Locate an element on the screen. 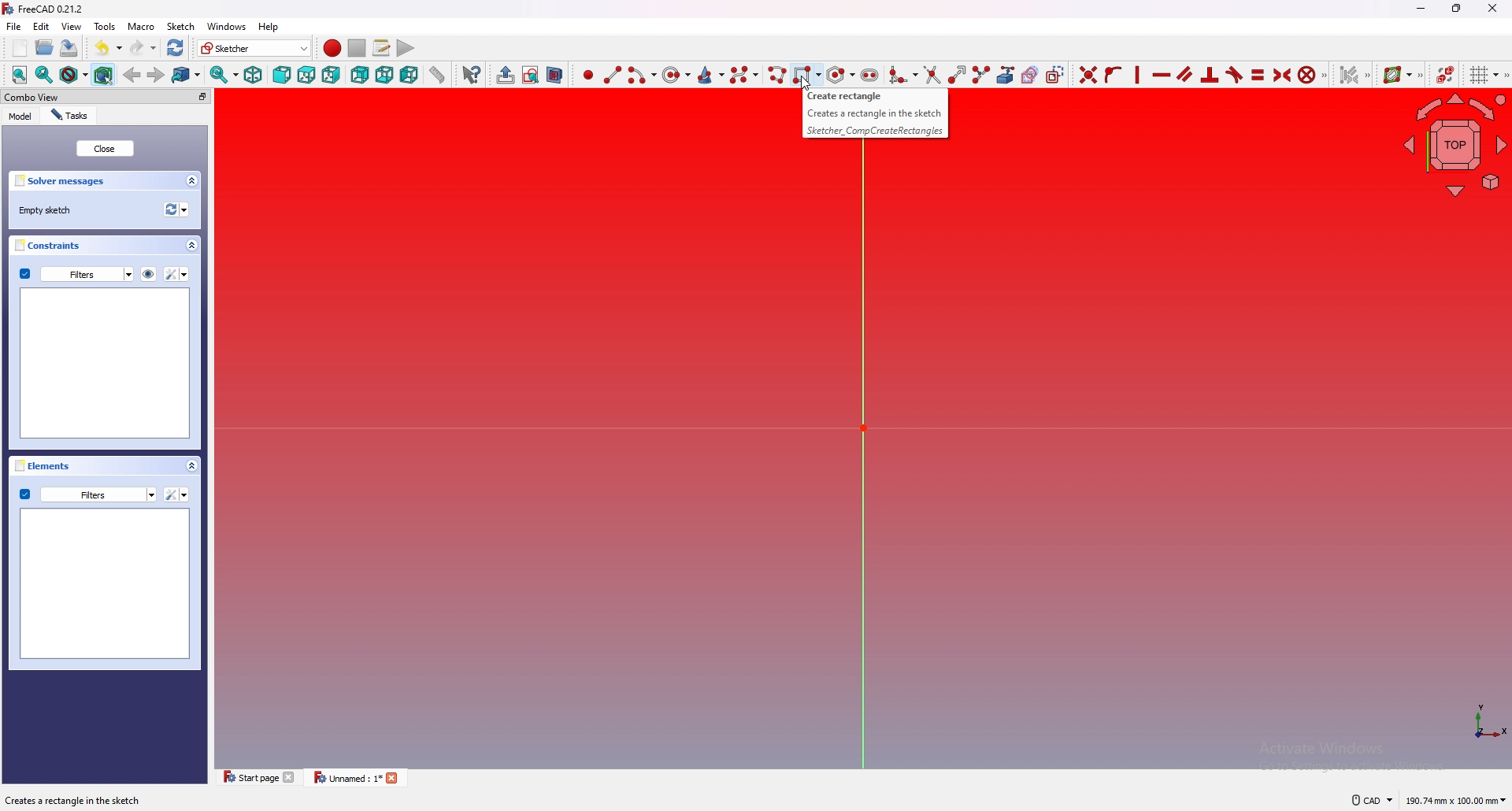 This screenshot has height=811, width=1512. toggle construction geometry is located at coordinates (1055, 74).